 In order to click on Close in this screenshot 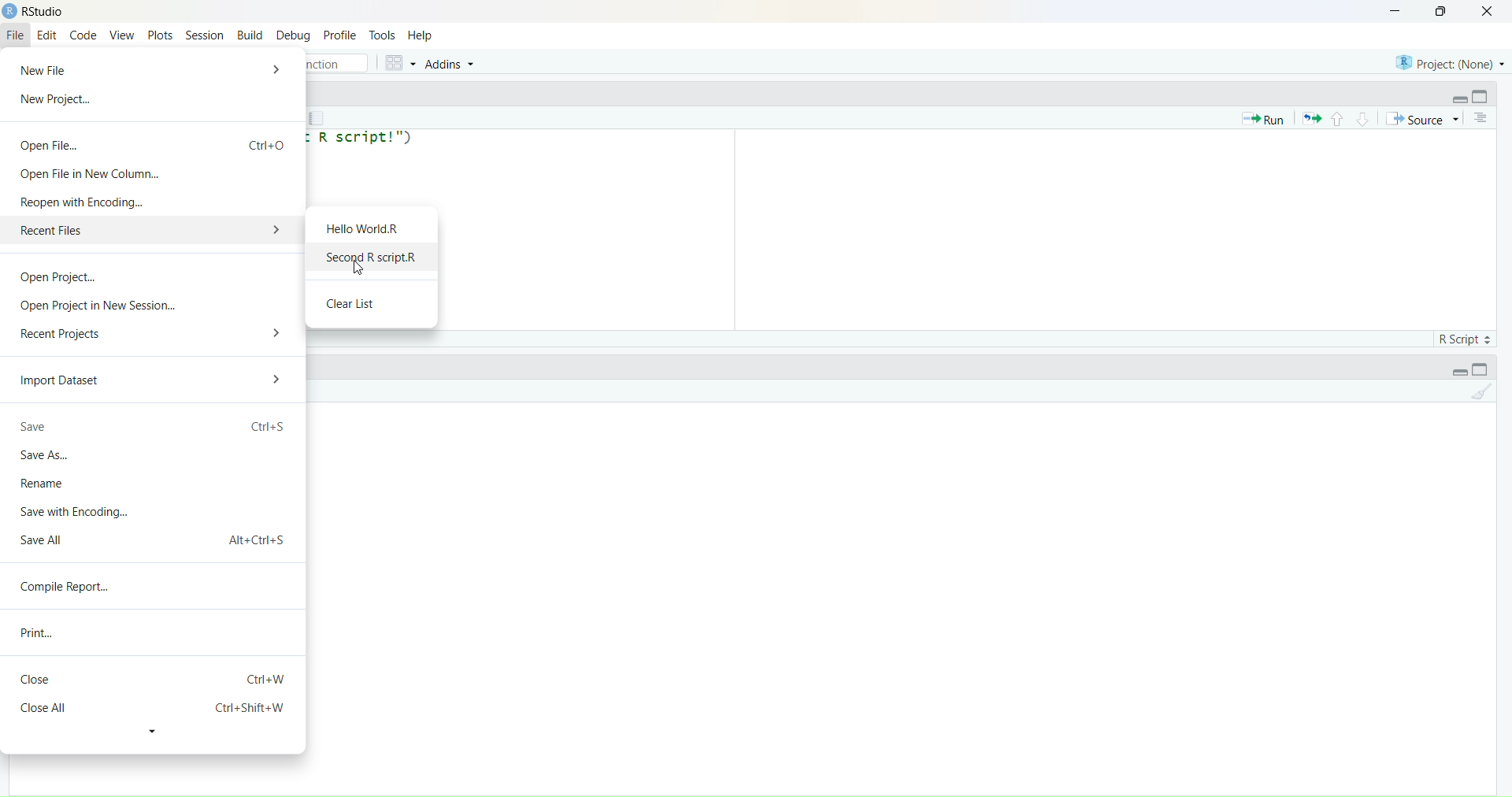, I will do `click(1488, 13)`.